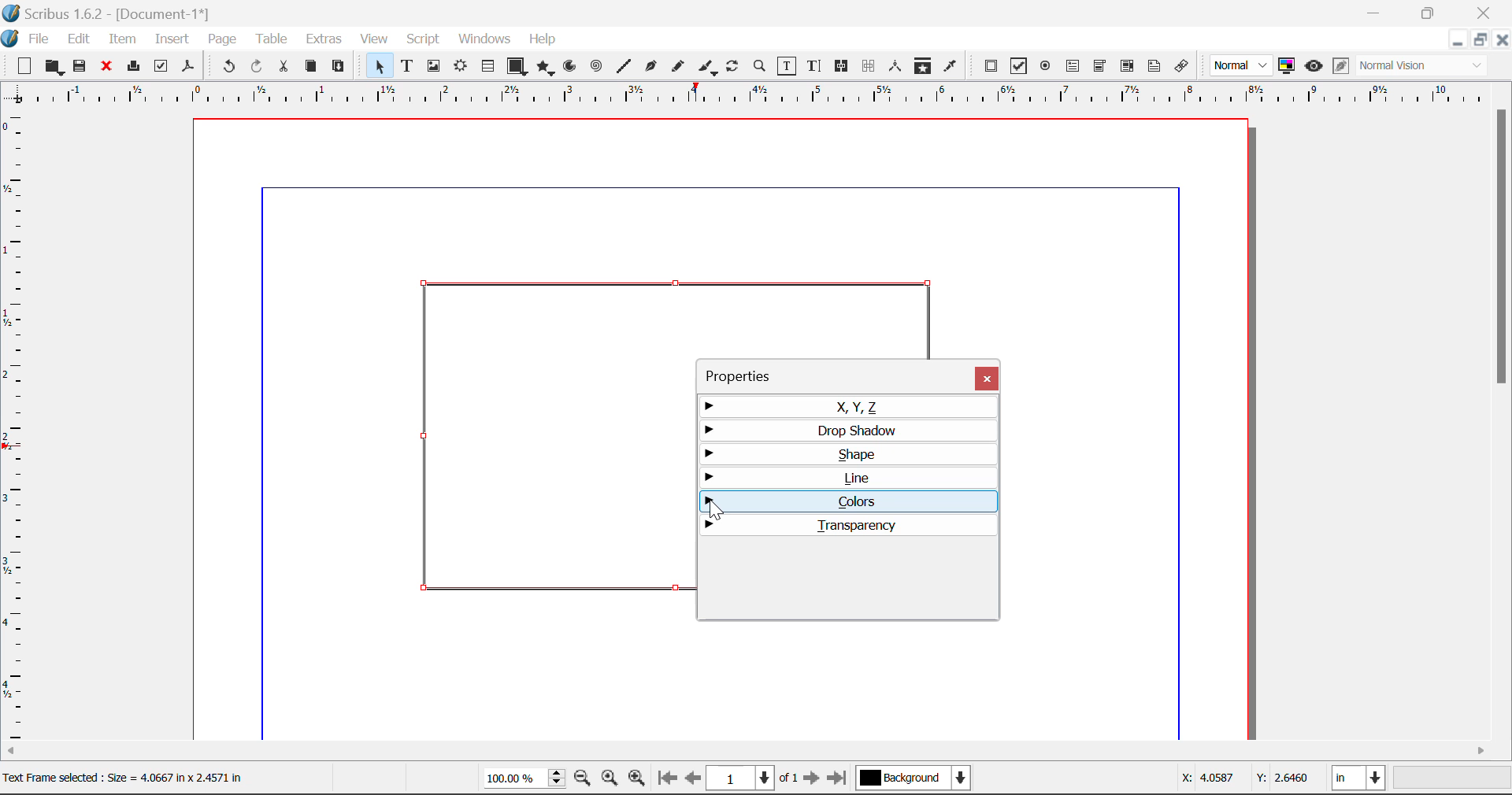 This screenshot has height=795, width=1512. I want to click on Close, so click(1503, 39).